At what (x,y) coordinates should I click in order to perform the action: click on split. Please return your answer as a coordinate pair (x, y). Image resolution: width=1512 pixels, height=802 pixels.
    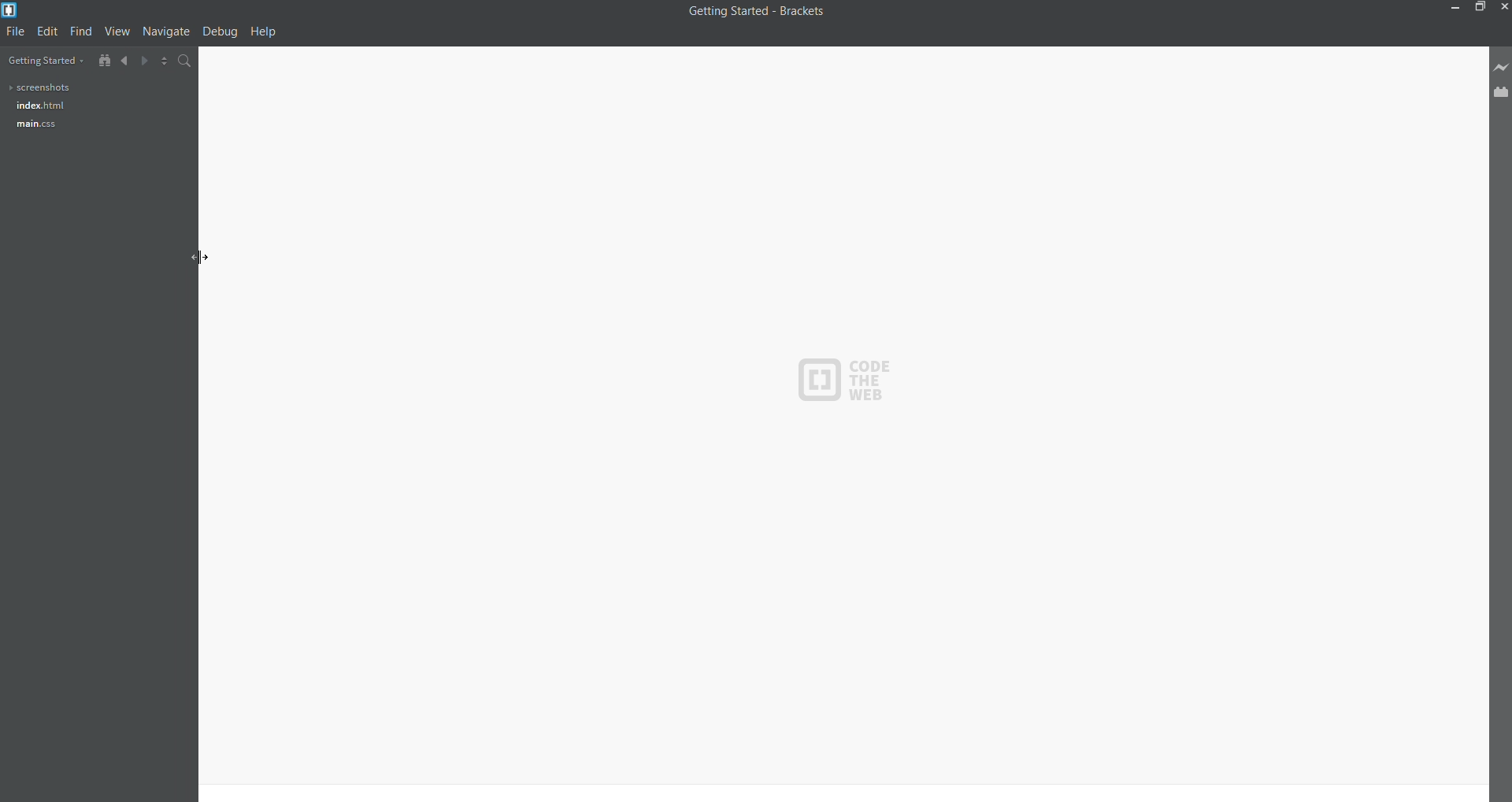
    Looking at the image, I should click on (159, 62).